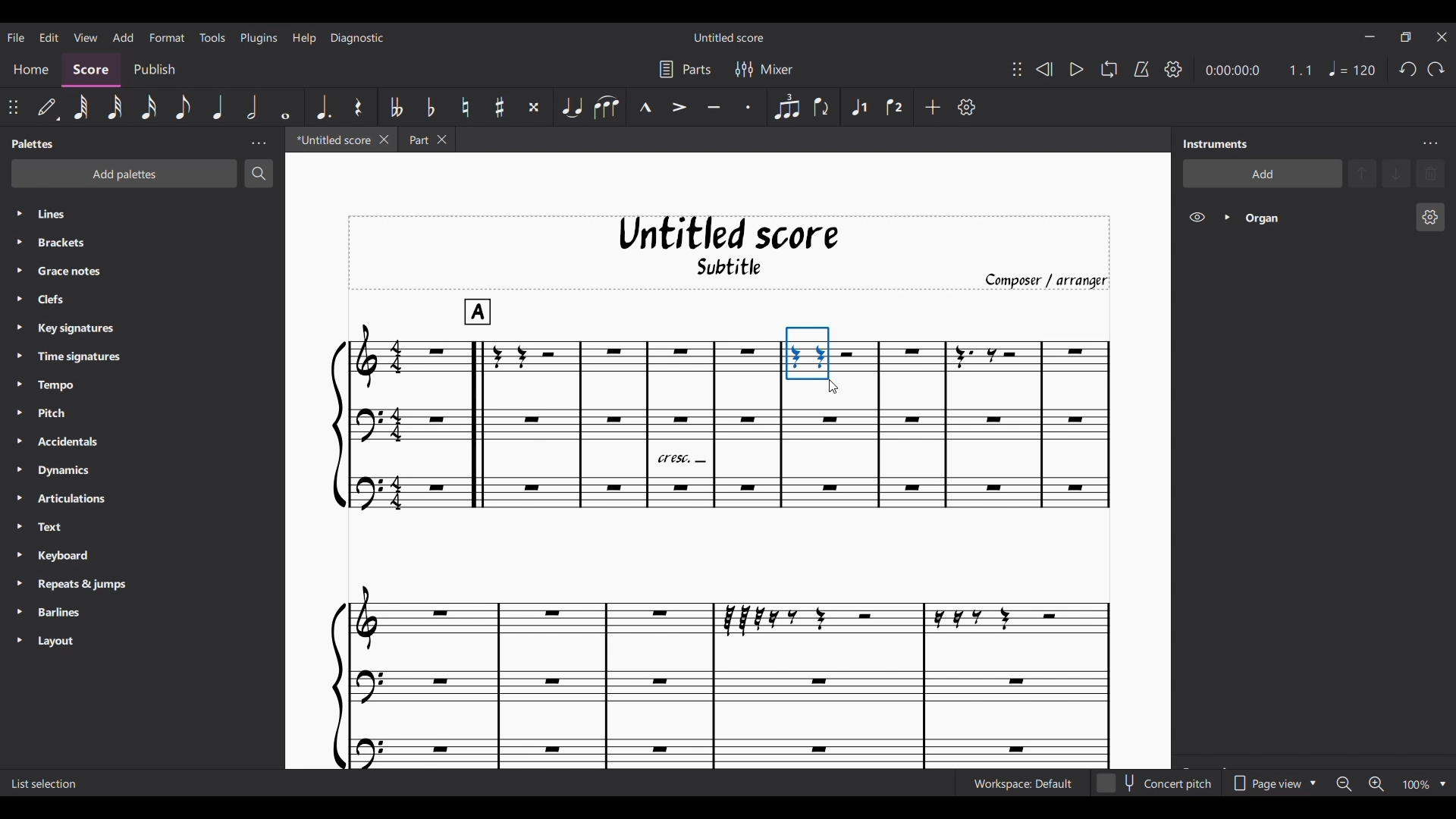 The image size is (1456, 819). Describe the element at coordinates (1142, 70) in the screenshot. I see `Metronome` at that location.